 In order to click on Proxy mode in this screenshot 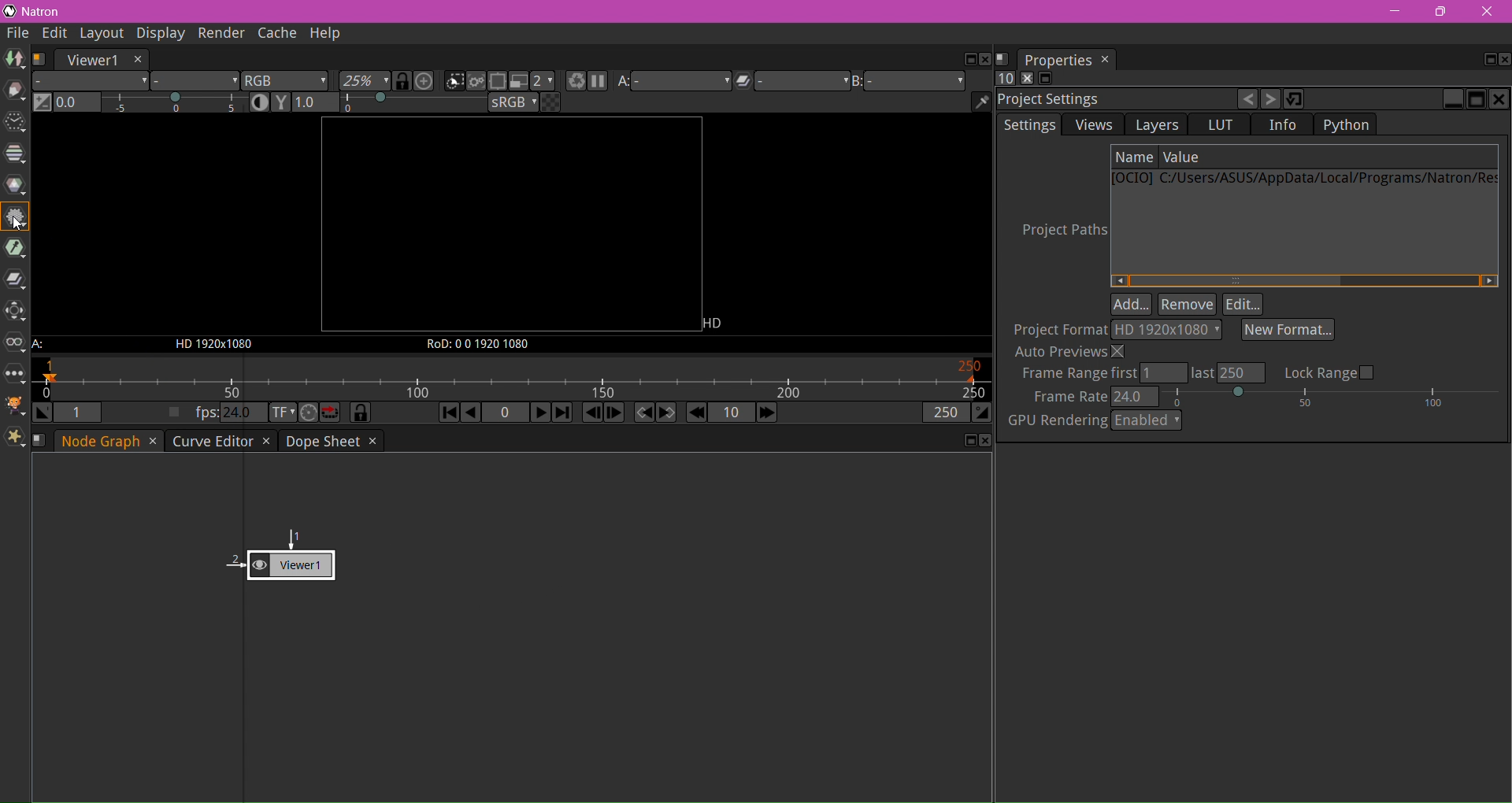, I will do `click(517, 81)`.